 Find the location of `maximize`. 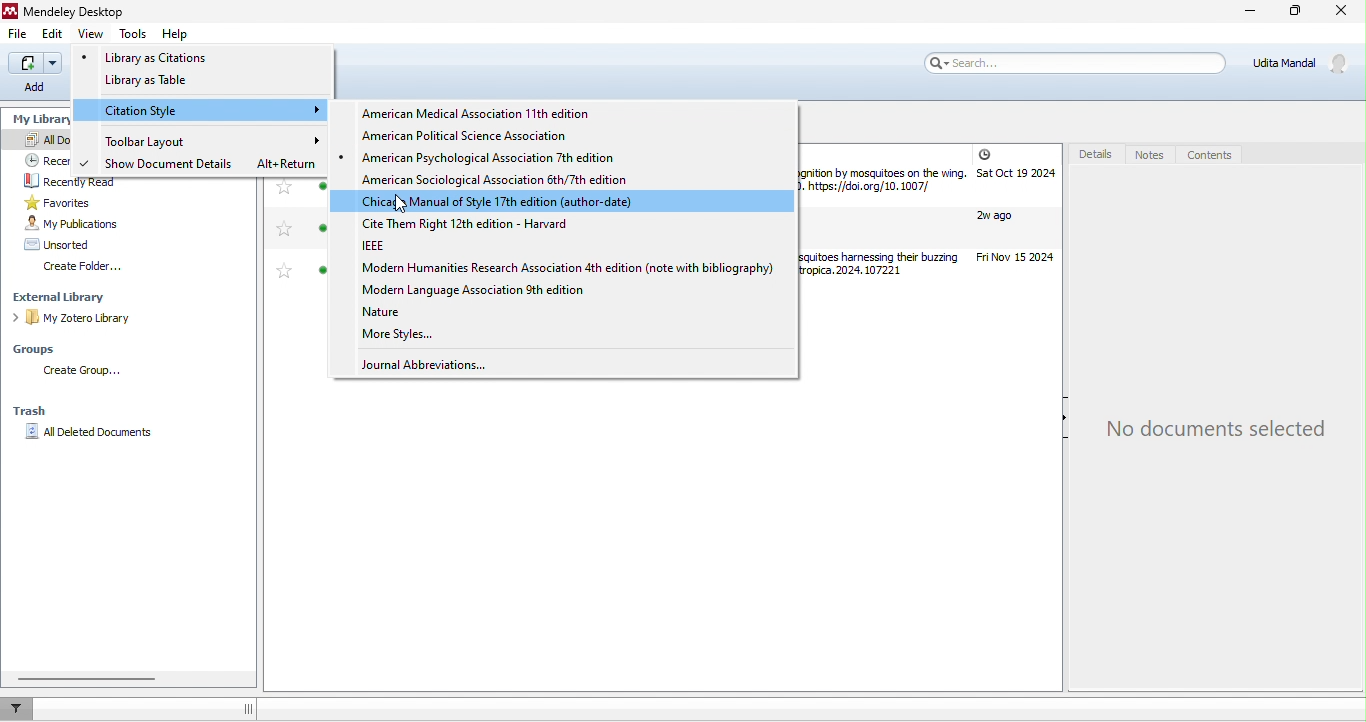

maximize is located at coordinates (1295, 14).